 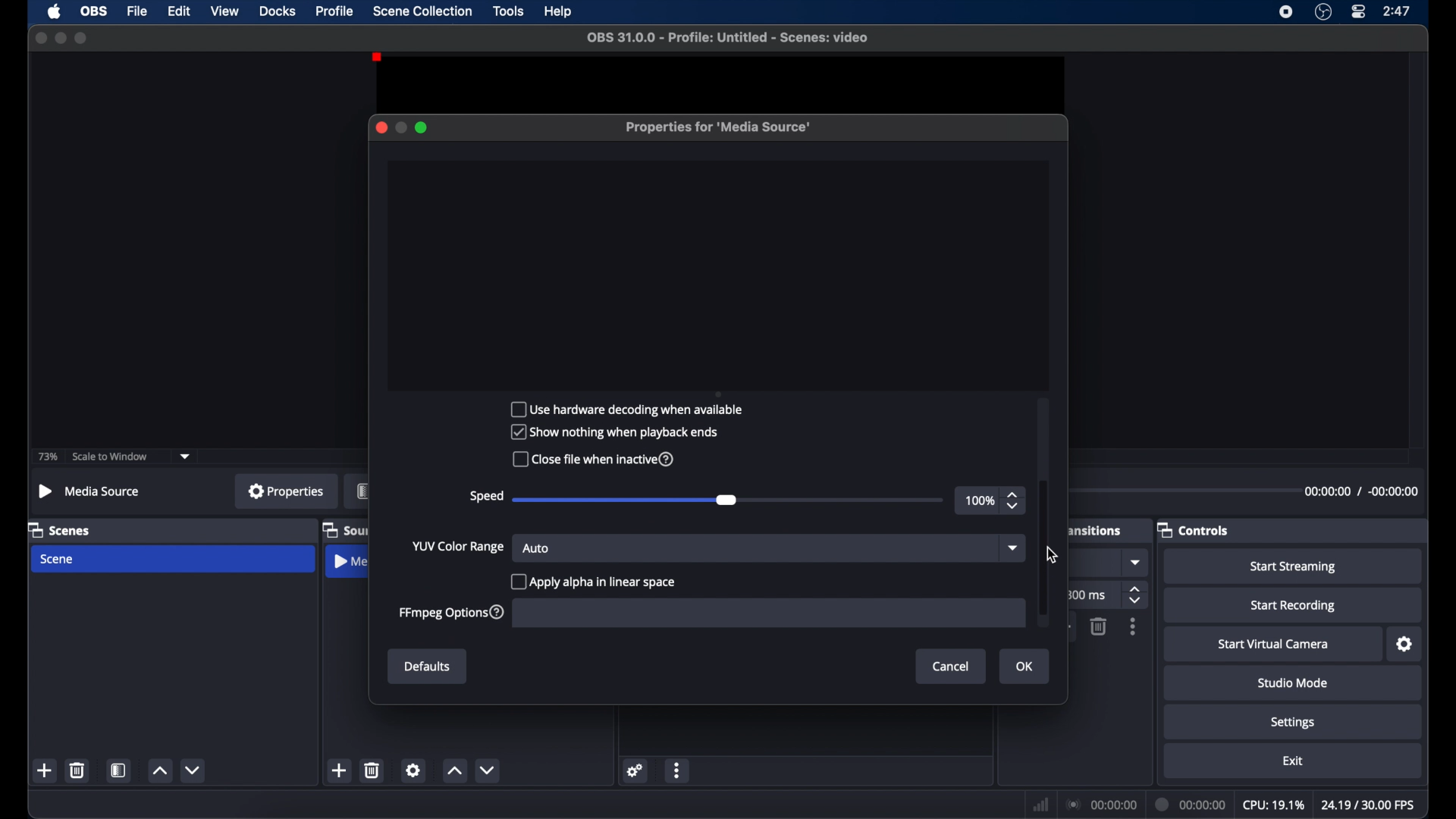 I want to click on duration, so click(x=1191, y=804).